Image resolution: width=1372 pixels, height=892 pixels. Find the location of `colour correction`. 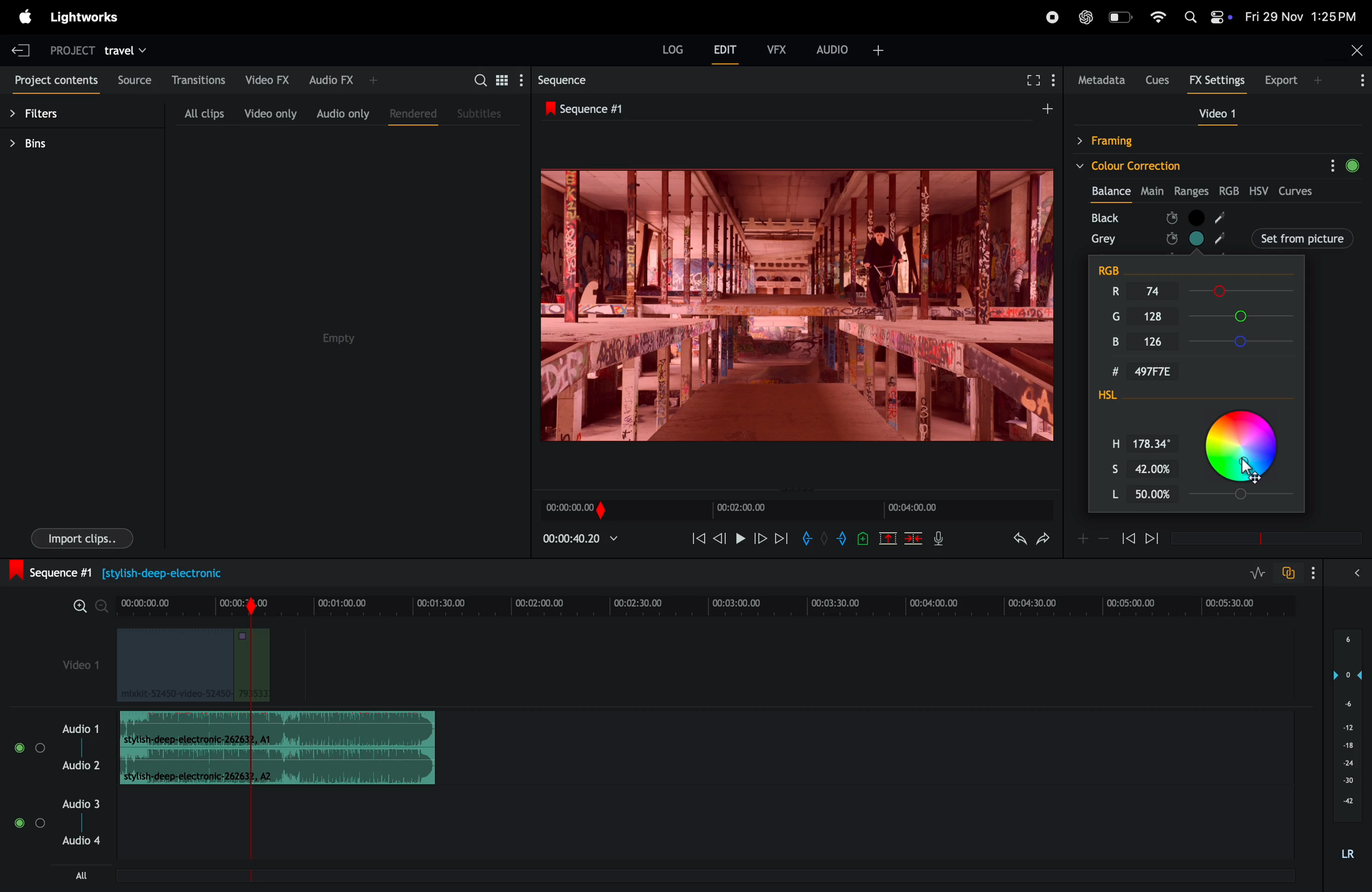

colour correction is located at coordinates (1201, 165).